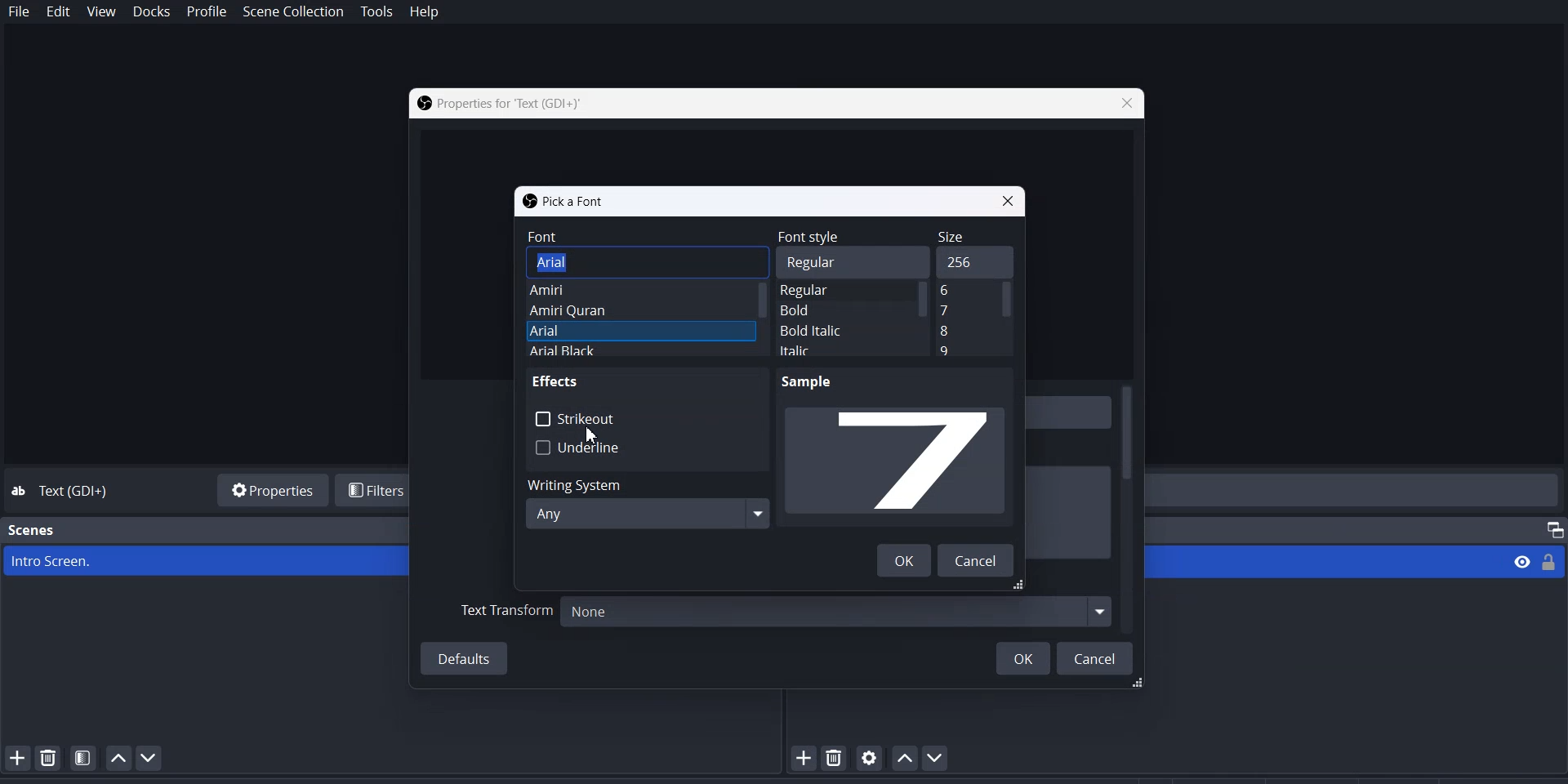 The width and height of the screenshot is (1568, 784). Describe the element at coordinates (207, 12) in the screenshot. I see `Profile` at that location.